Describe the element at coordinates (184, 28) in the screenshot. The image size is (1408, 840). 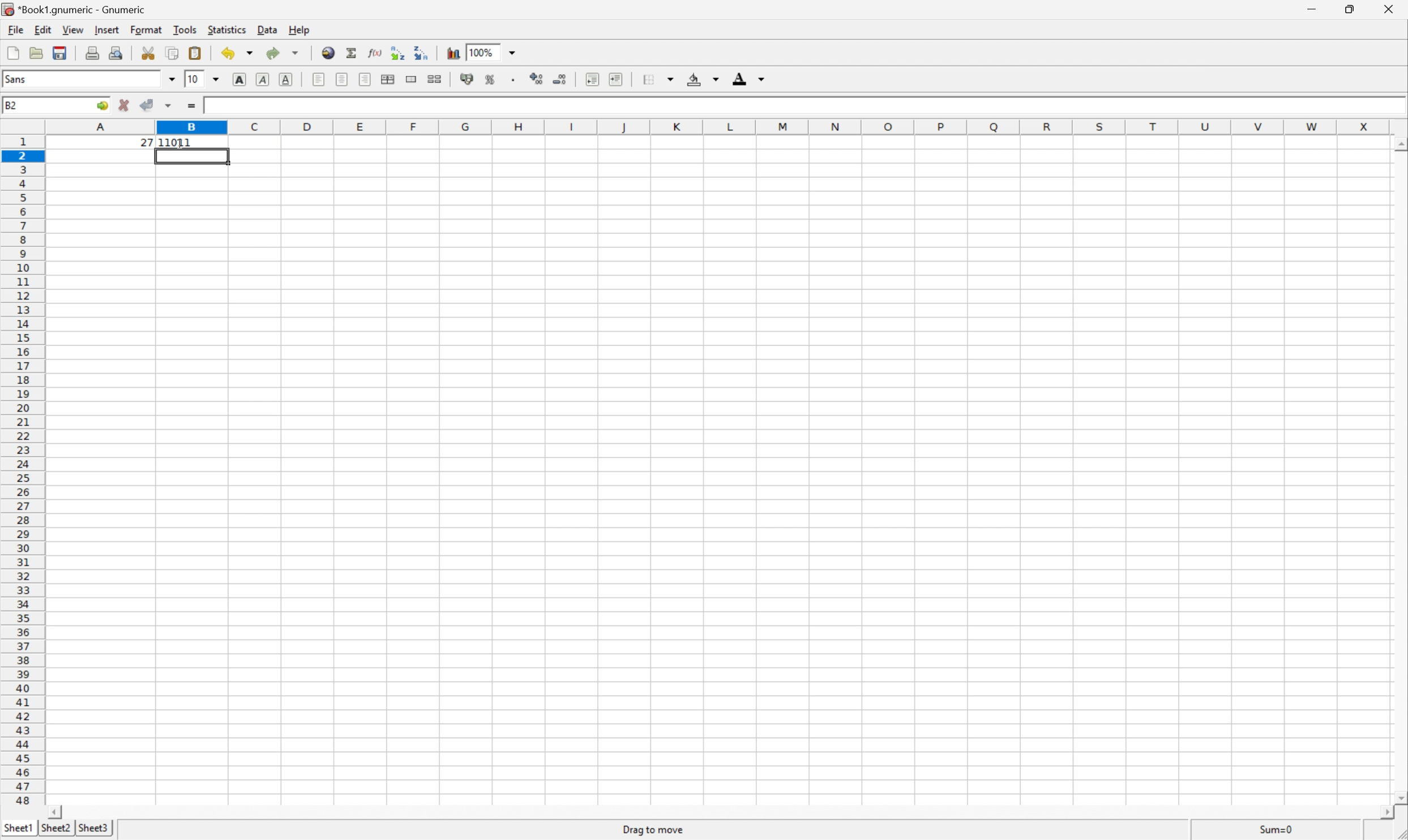
I see `Tools` at that location.